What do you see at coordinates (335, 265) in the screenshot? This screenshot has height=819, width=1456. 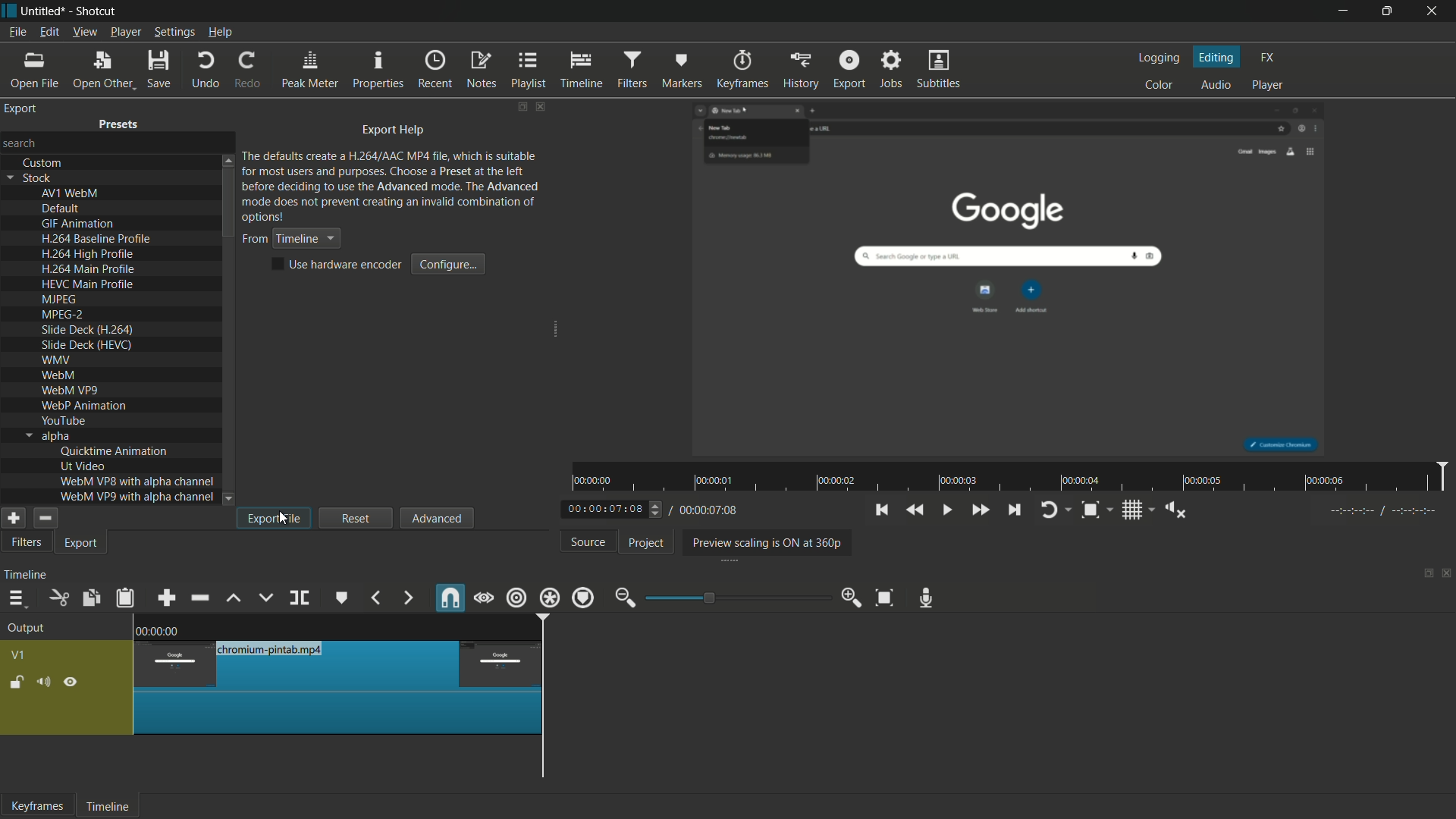 I see `text` at bounding box center [335, 265].